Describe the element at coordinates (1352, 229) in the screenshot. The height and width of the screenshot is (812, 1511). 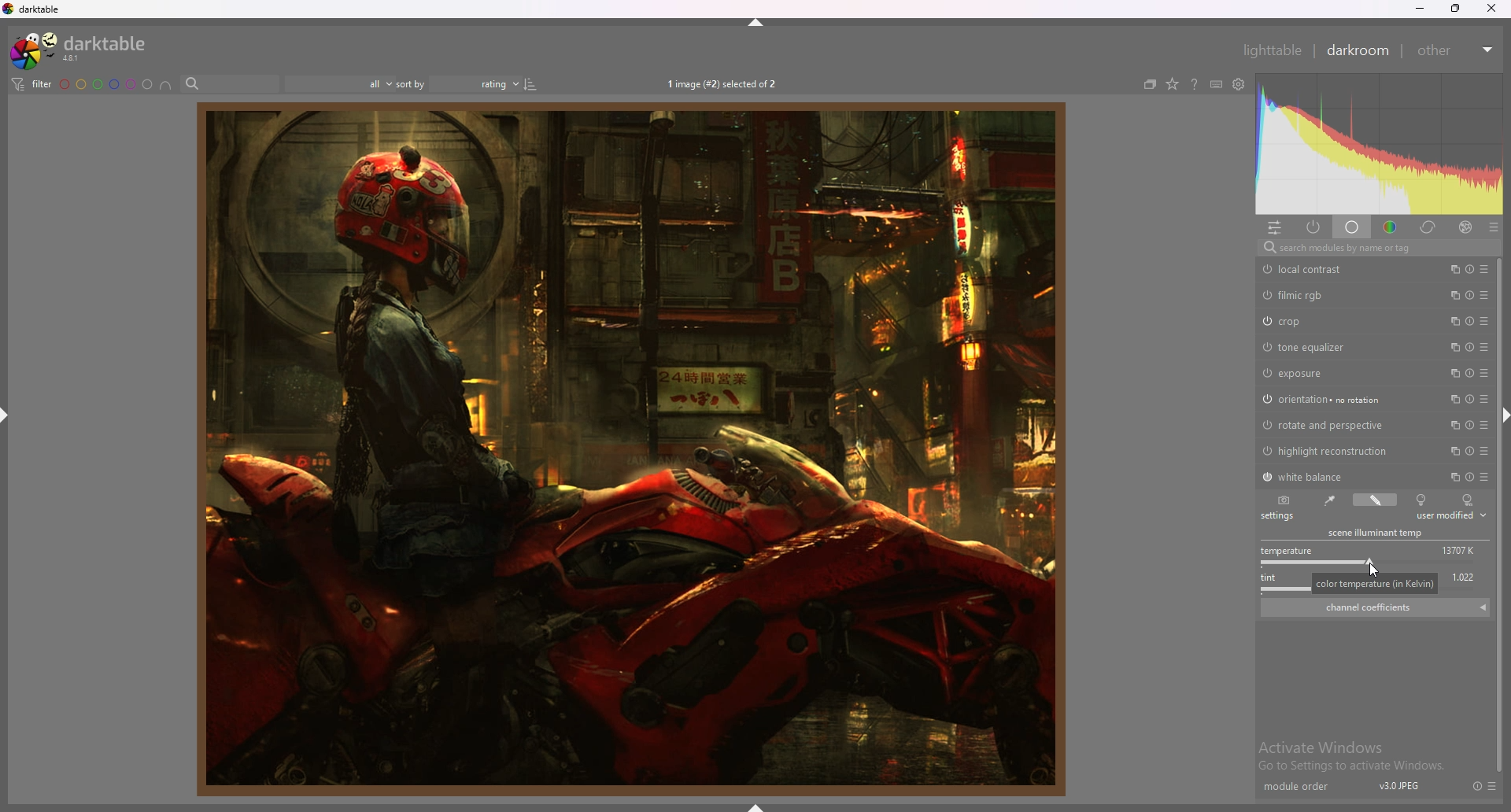
I see `base` at that location.